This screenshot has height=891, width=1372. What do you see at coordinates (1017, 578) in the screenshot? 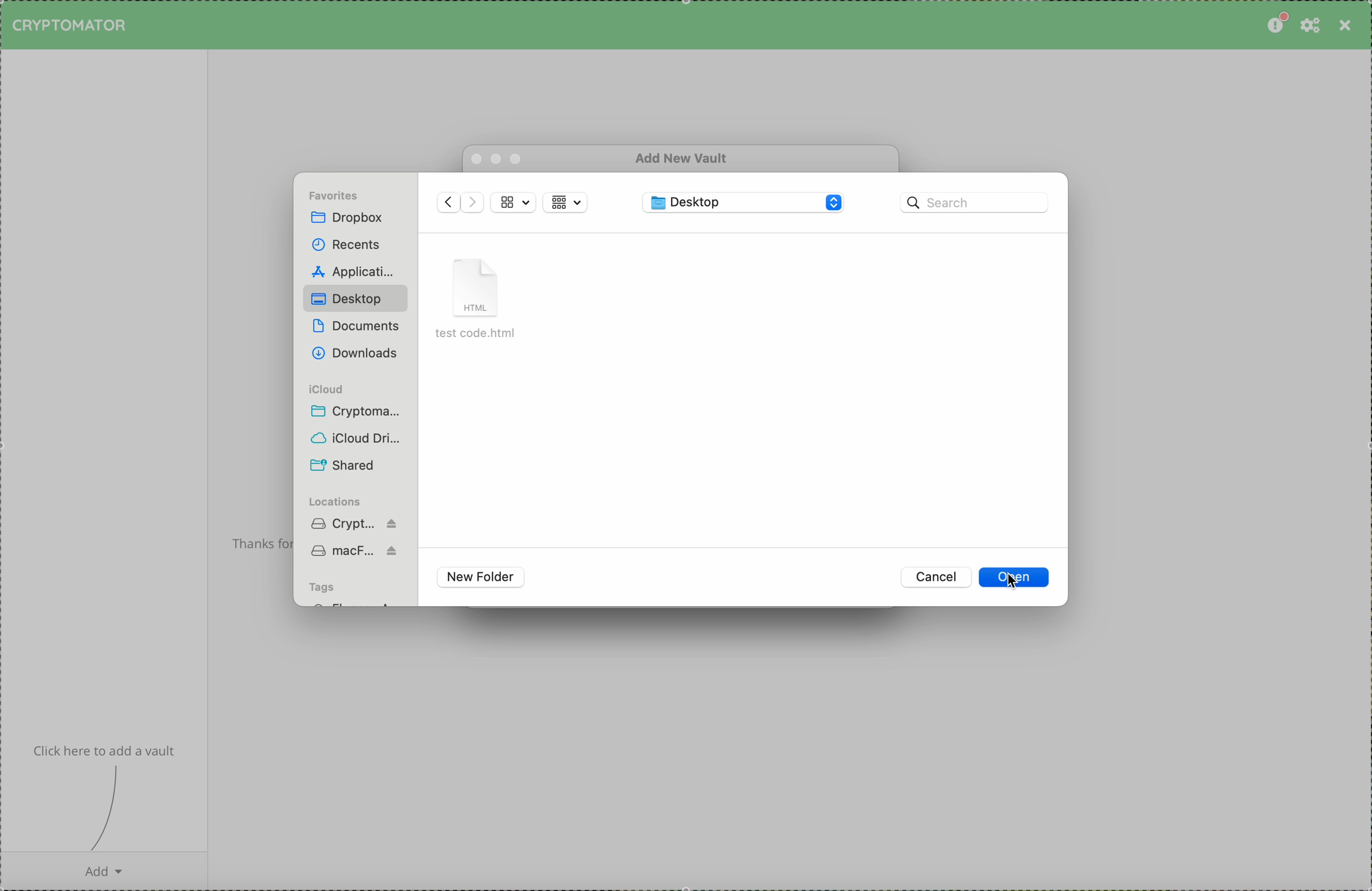
I see `click on open button` at bounding box center [1017, 578].